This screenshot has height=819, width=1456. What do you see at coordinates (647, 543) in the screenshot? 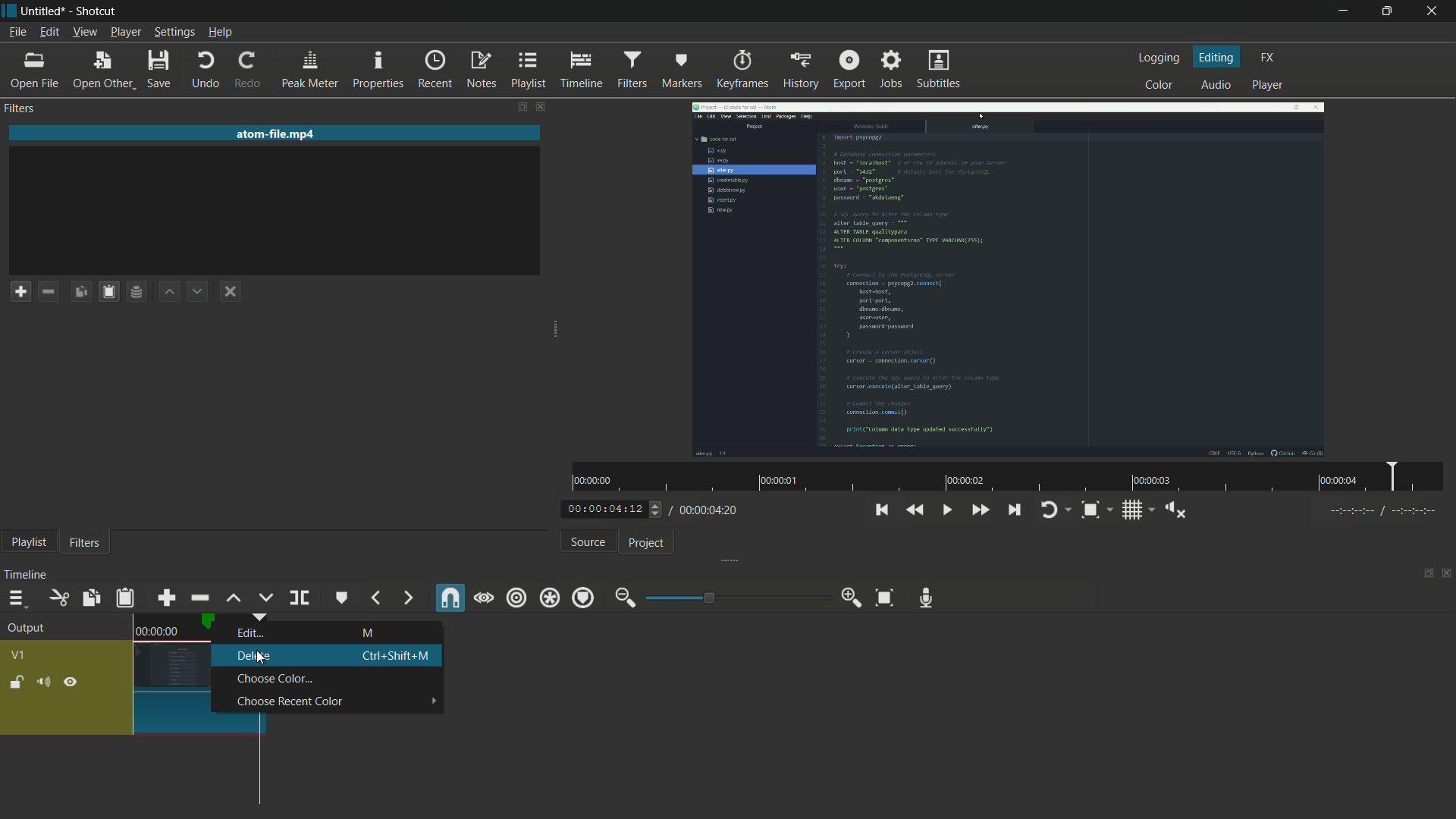
I see `project` at bounding box center [647, 543].